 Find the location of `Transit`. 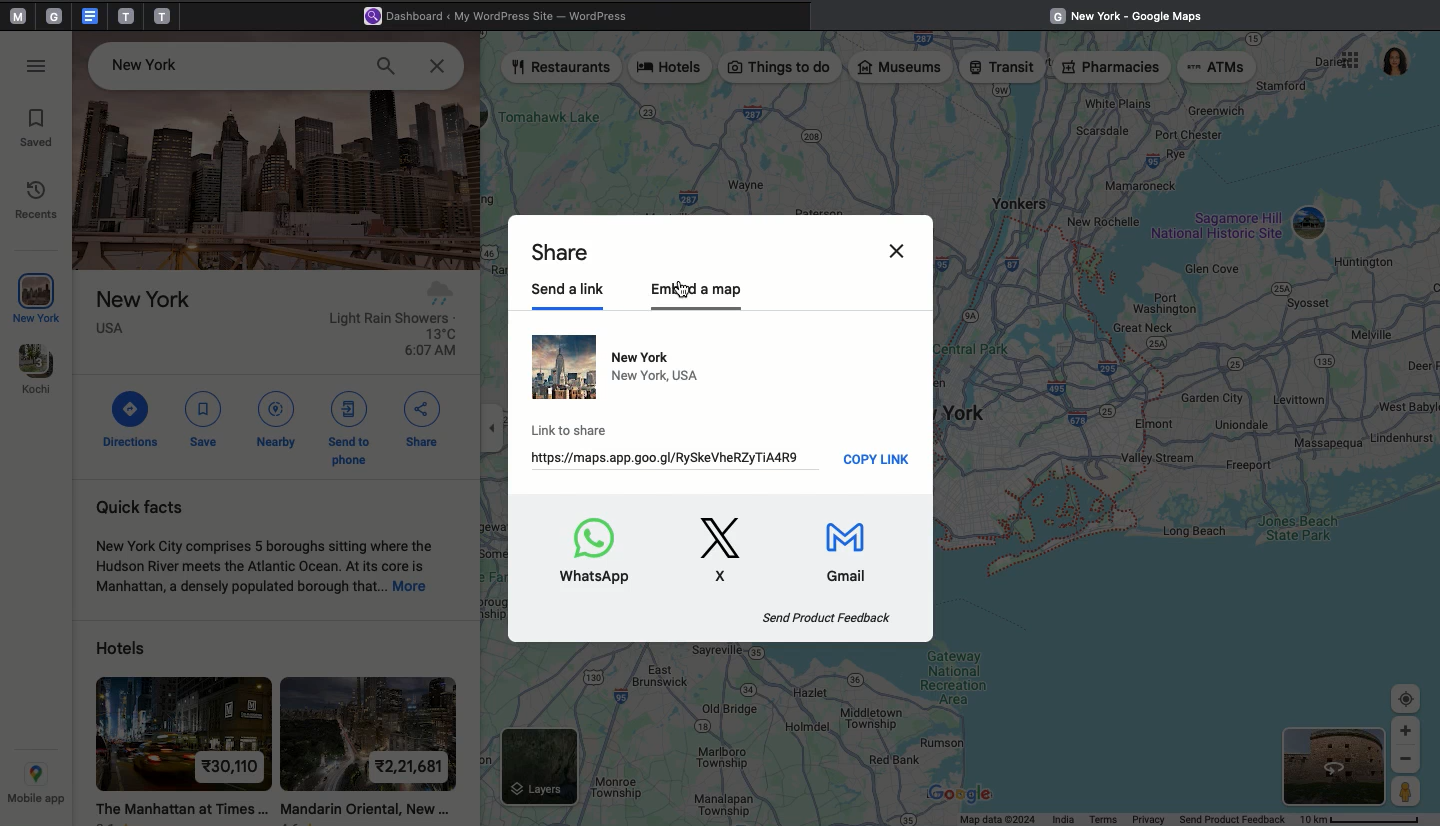

Transit is located at coordinates (1003, 68).